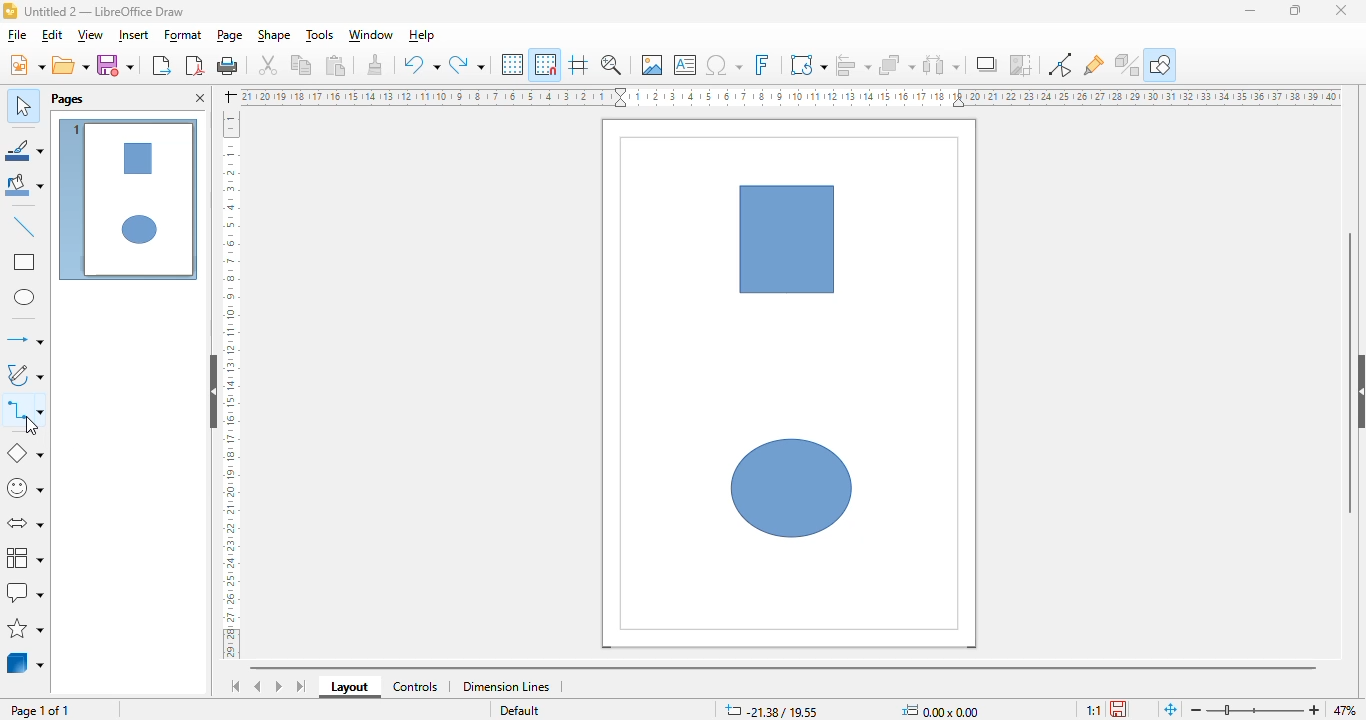 The width and height of the screenshot is (1366, 720). I want to click on basic shapes, so click(26, 454).